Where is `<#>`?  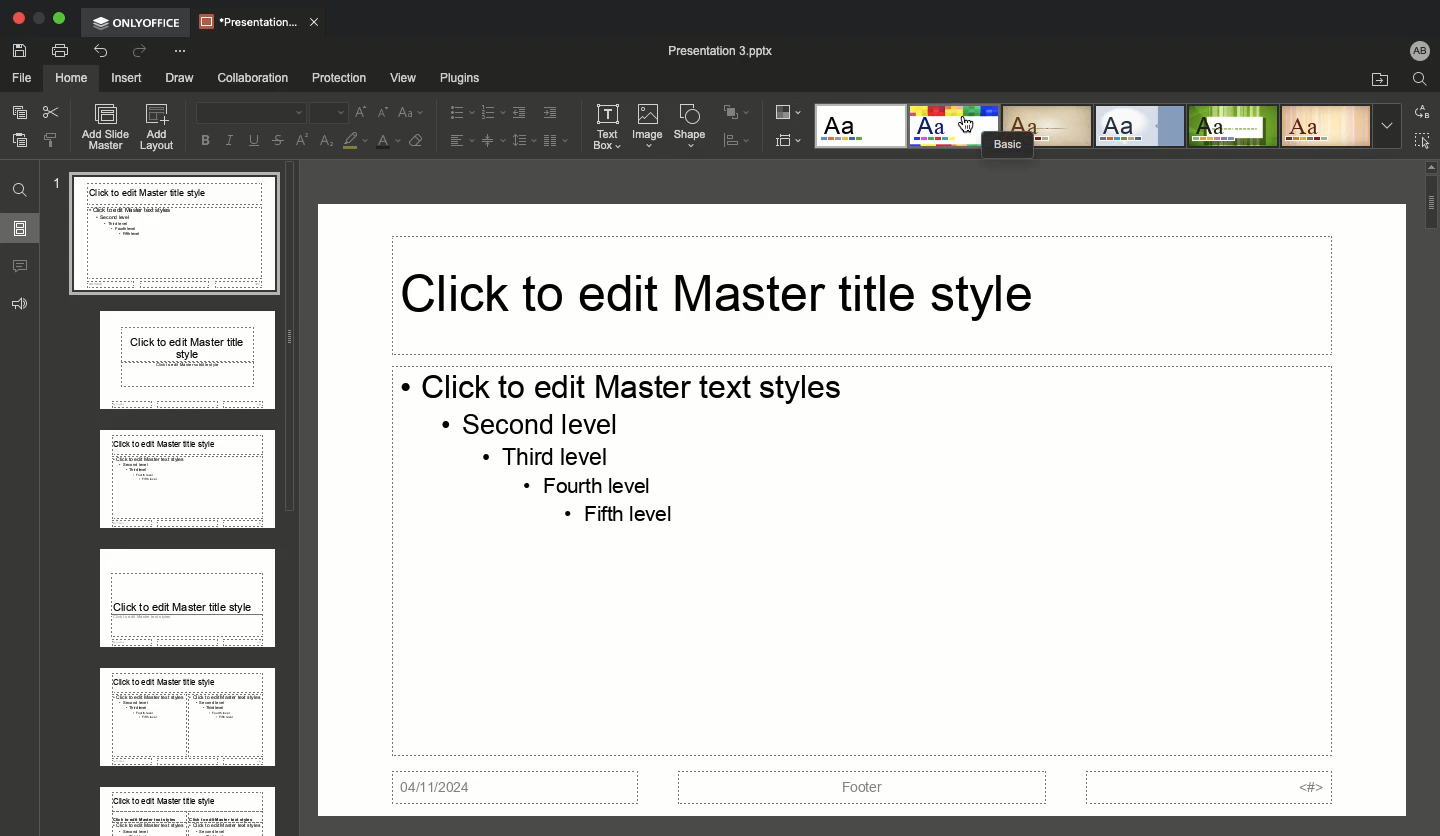
<#> is located at coordinates (1208, 788).